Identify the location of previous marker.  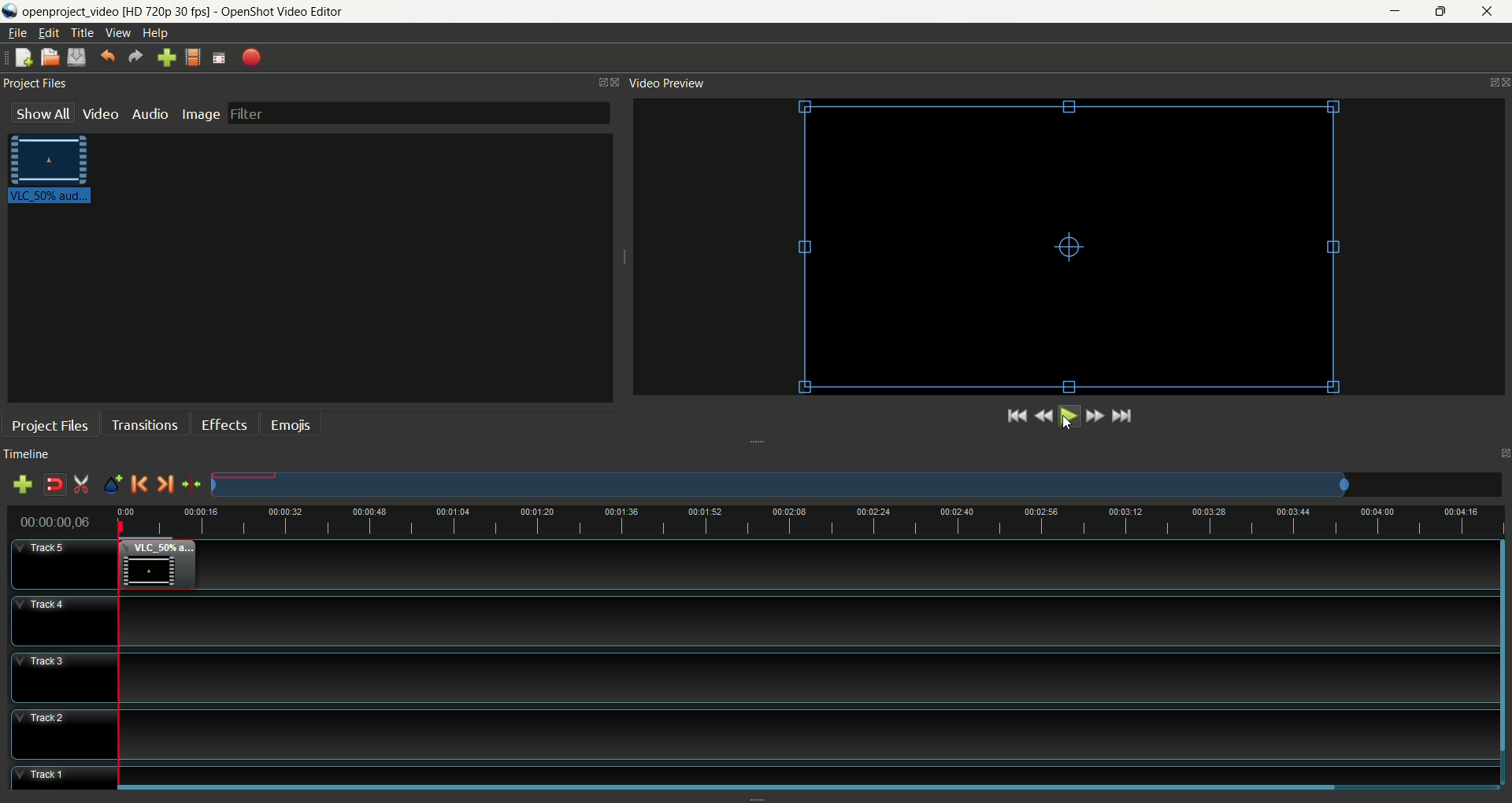
(139, 484).